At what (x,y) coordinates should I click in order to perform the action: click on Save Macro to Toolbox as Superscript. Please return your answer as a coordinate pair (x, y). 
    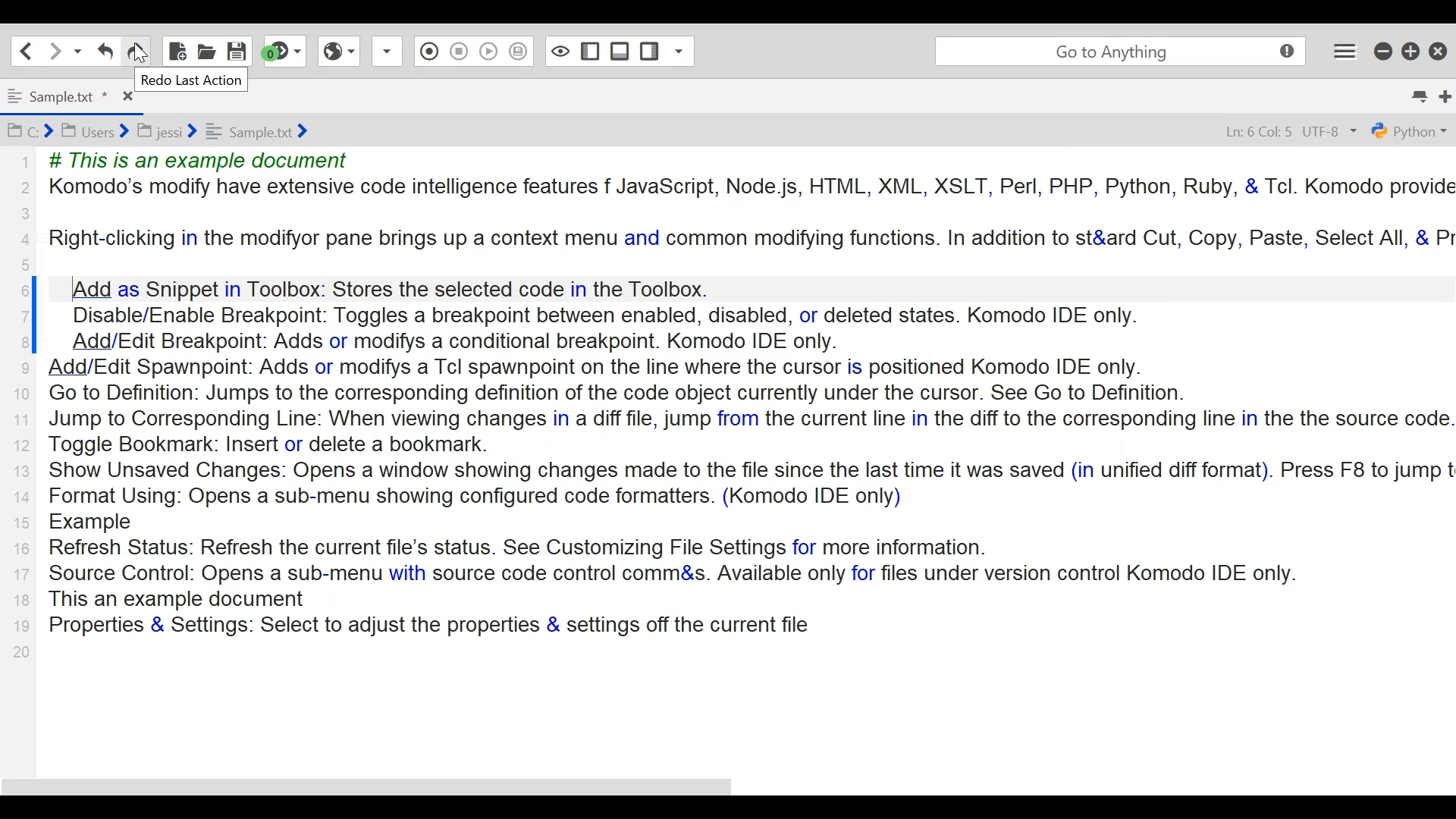
    Looking at the image, I should click on (517, 51).